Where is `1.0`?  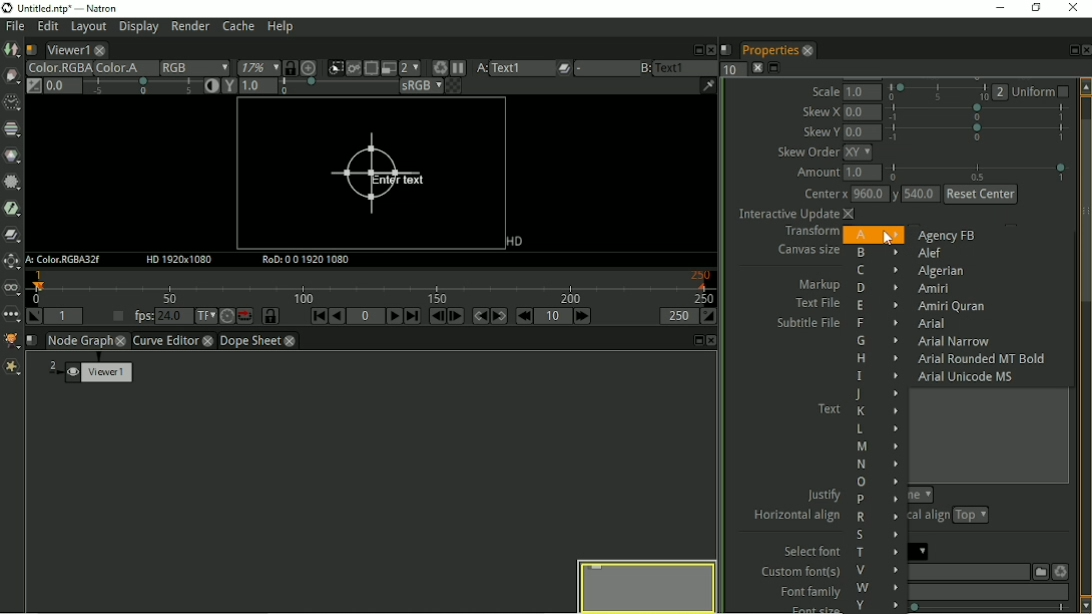
1.0 is located at coordinates (865, 92).